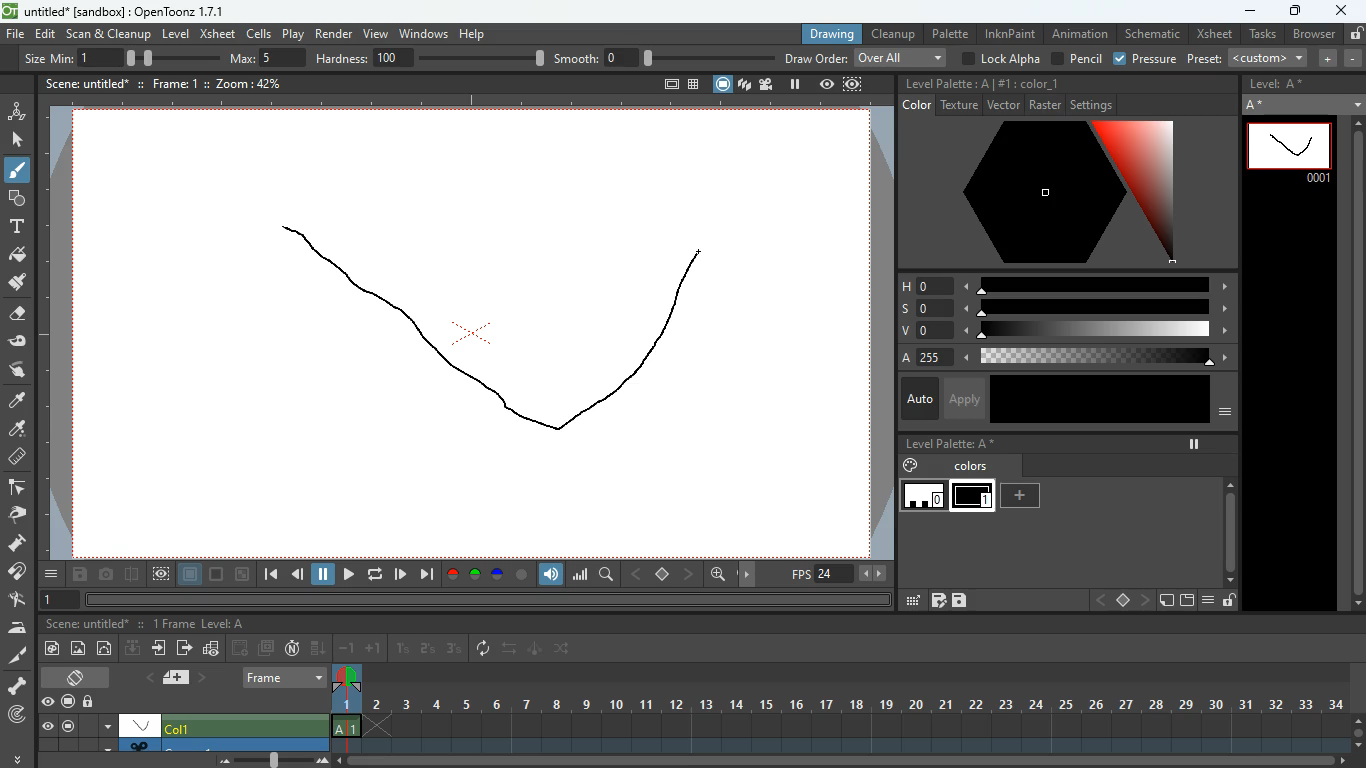 The height and width of the screenshot is (768, 1366). What do you see at coordinates (82, 576) in the screenshot?
I see `save` at bounding box center [82, 576].